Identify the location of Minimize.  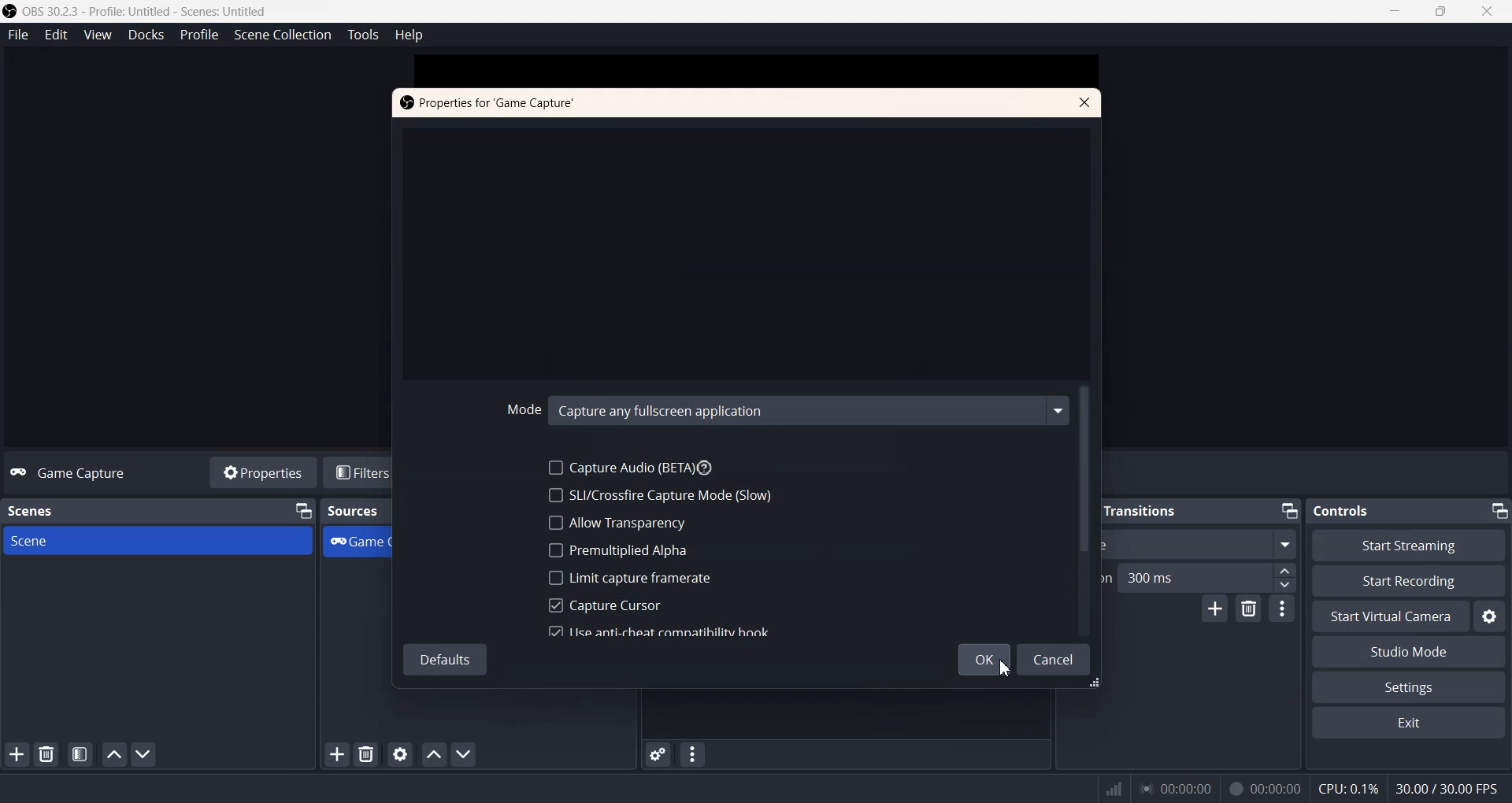
(1288, 511).